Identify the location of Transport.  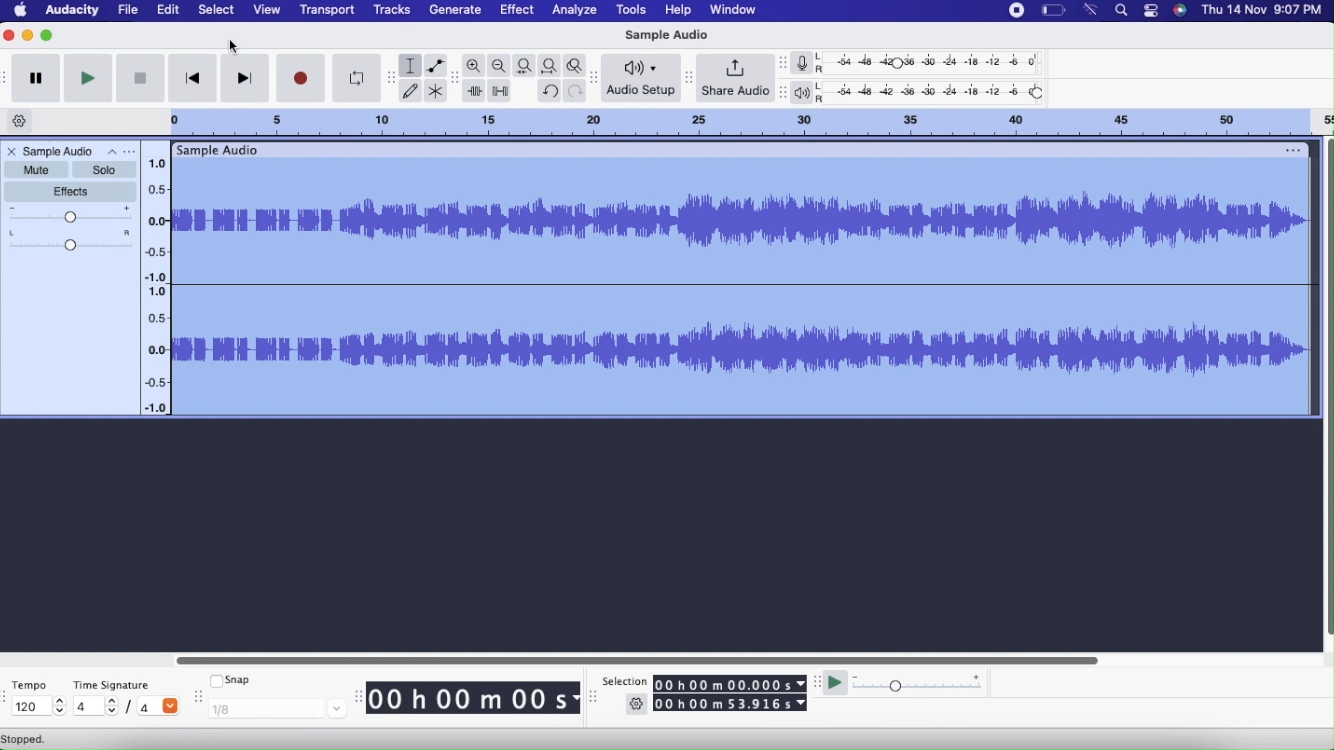
(326, 11).